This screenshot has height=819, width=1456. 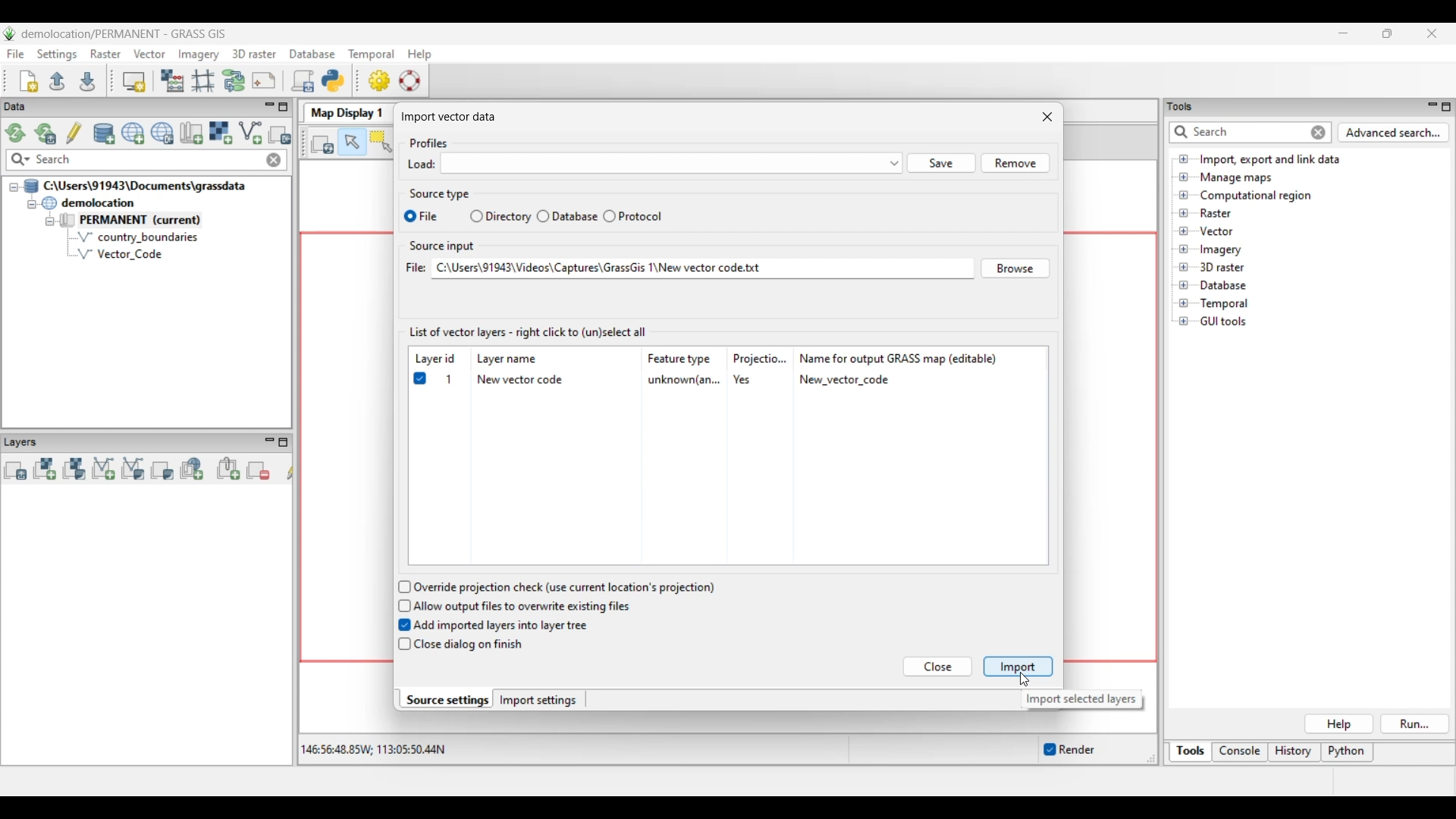 What do you see at coordinates (1222, 286) in the screenshot?
I see `Double click to see files under Database` at bounding box center [1222, 286].